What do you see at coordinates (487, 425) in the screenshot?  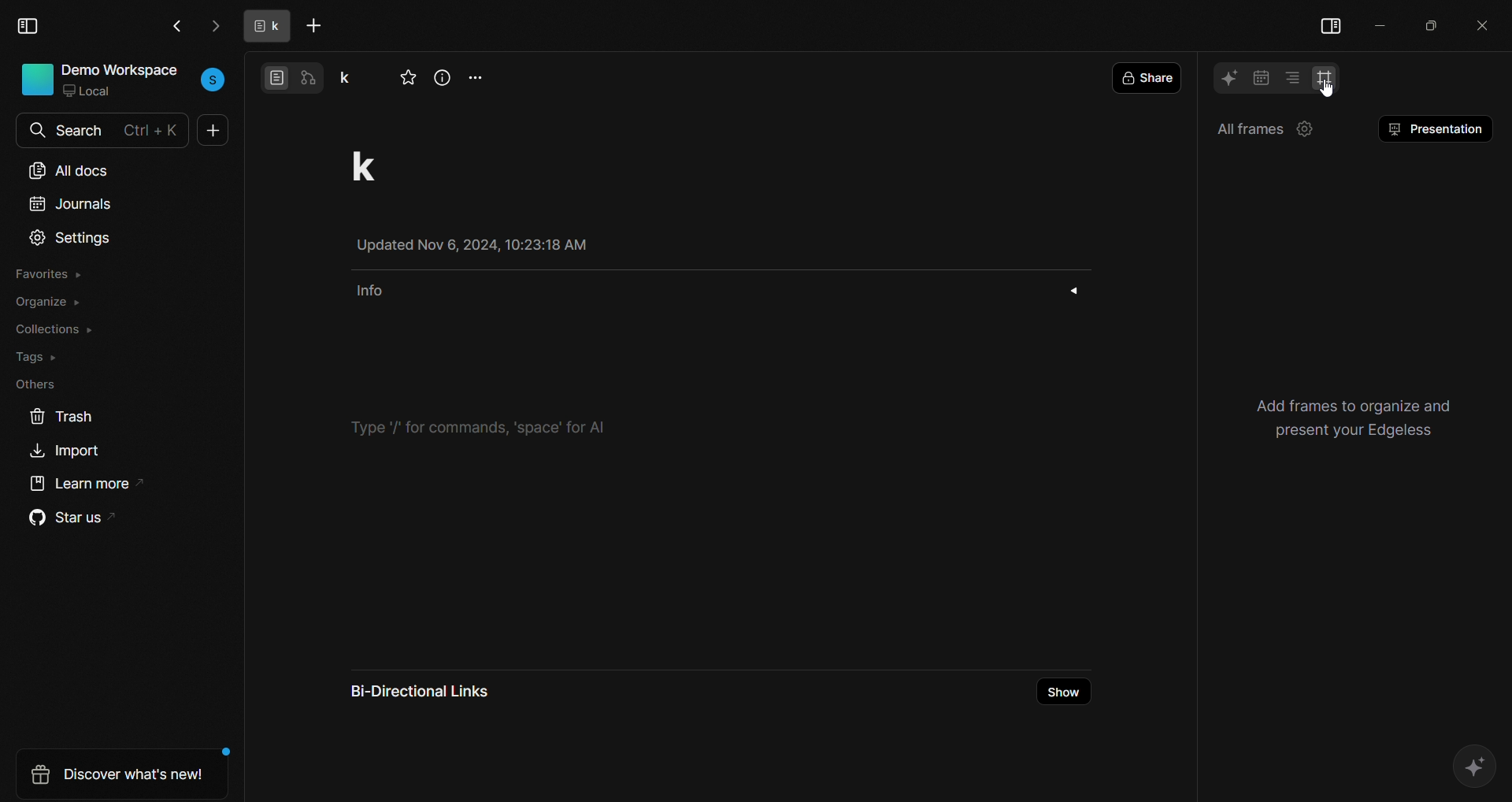 I see `type '/' for commands, 'space'' for ai` at bounding box center [487, 425].